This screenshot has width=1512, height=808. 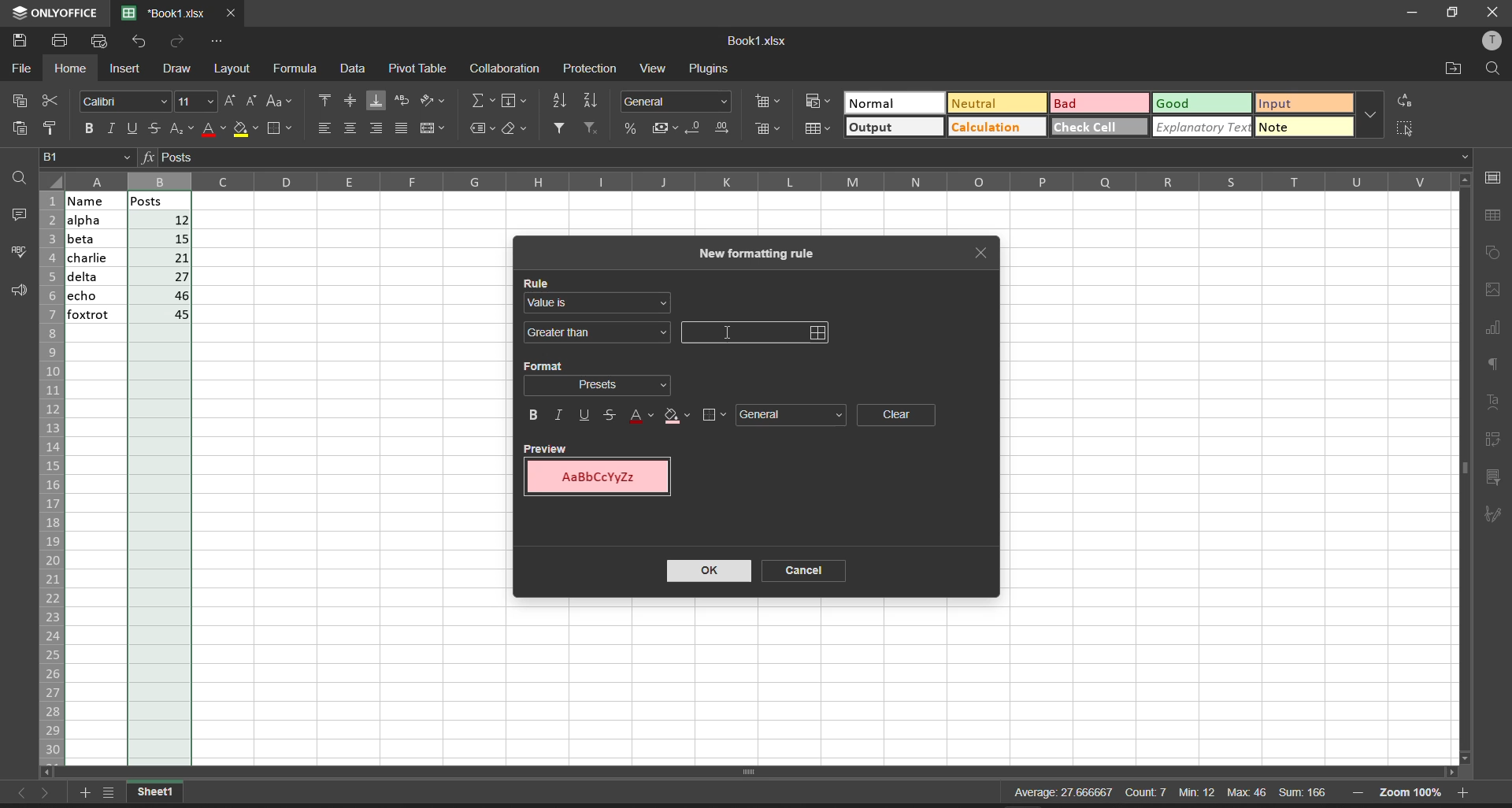 What do you see at coordinates (1414, 12) in the screenshot?
I see `minimize` at bounding box center [1414, 12].